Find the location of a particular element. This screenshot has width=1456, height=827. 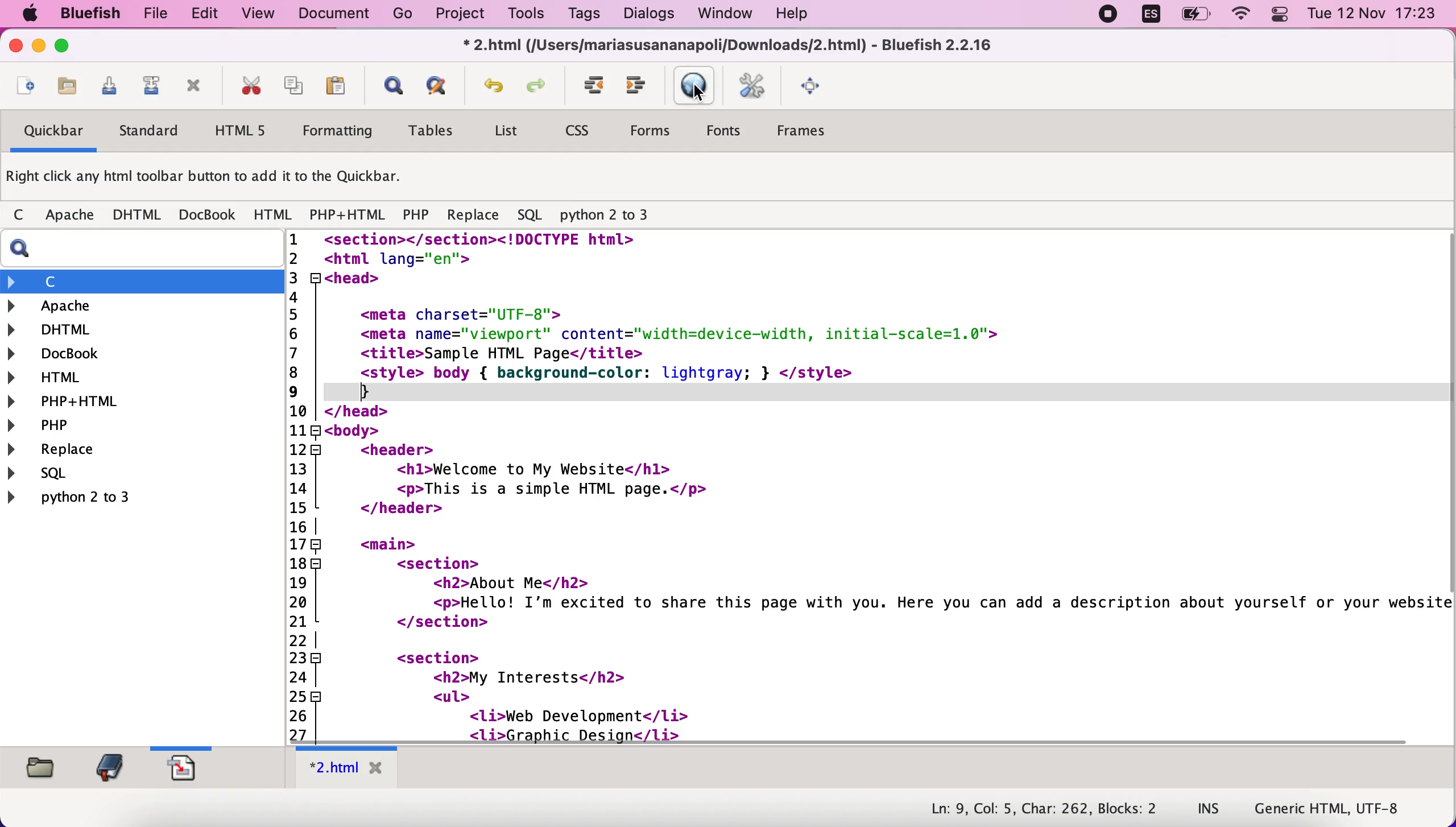

language is located at coordinates (1151, 17).